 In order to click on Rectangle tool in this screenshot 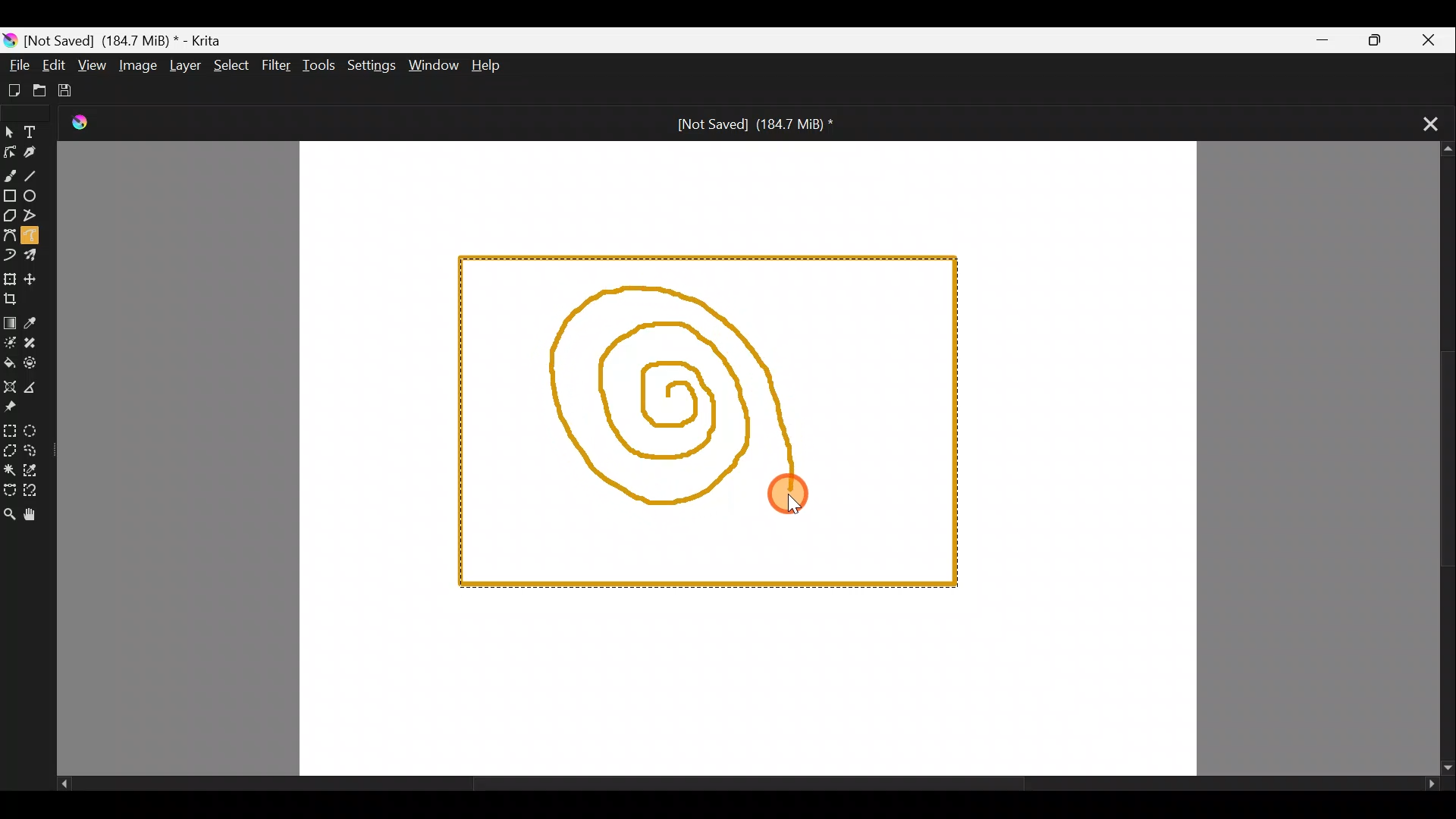, I will do `click(9, 196)`.